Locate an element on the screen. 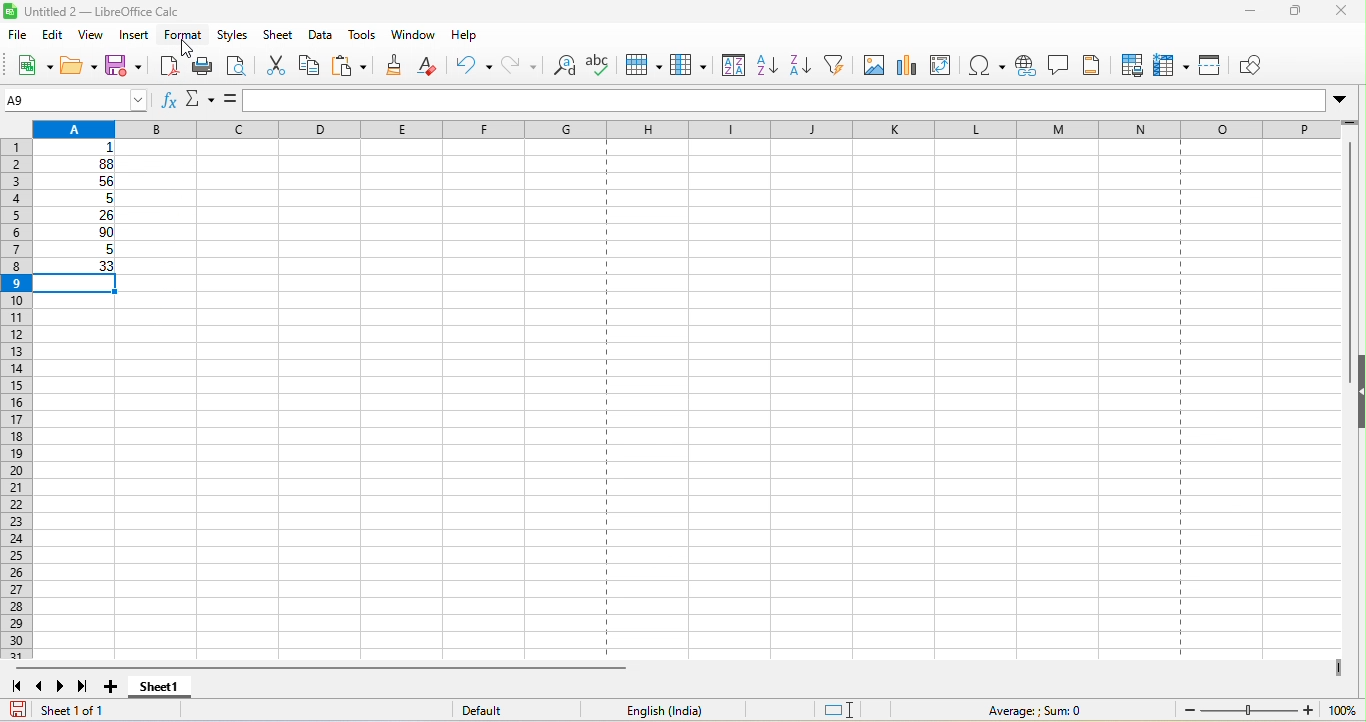 This screenshot has height=722, width=1366. vertical scroll bar is located at coordinates (1346, 262).